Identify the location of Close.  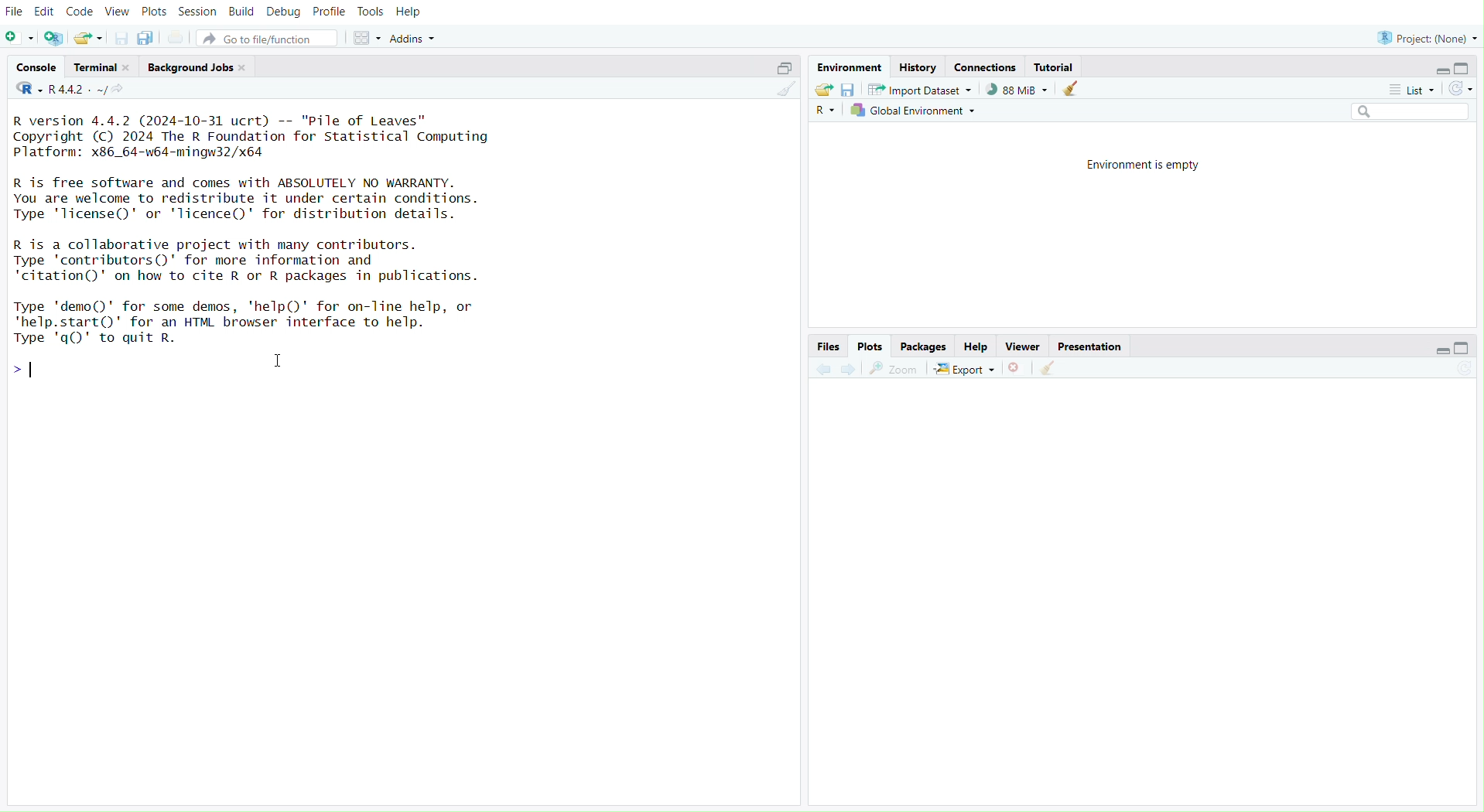
(1018, 367).